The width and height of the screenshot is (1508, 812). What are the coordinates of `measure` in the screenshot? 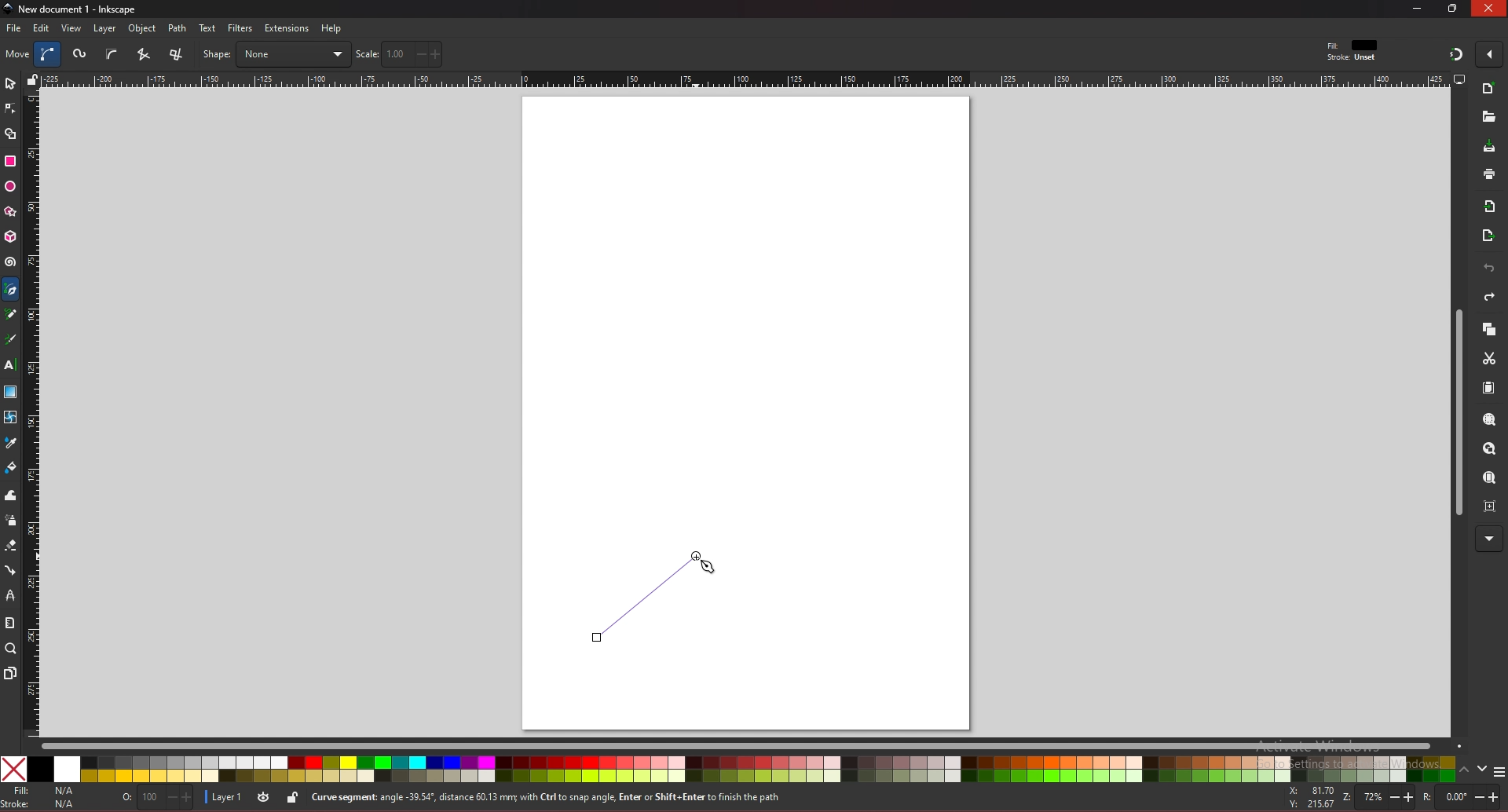 It's located at (9, 623).